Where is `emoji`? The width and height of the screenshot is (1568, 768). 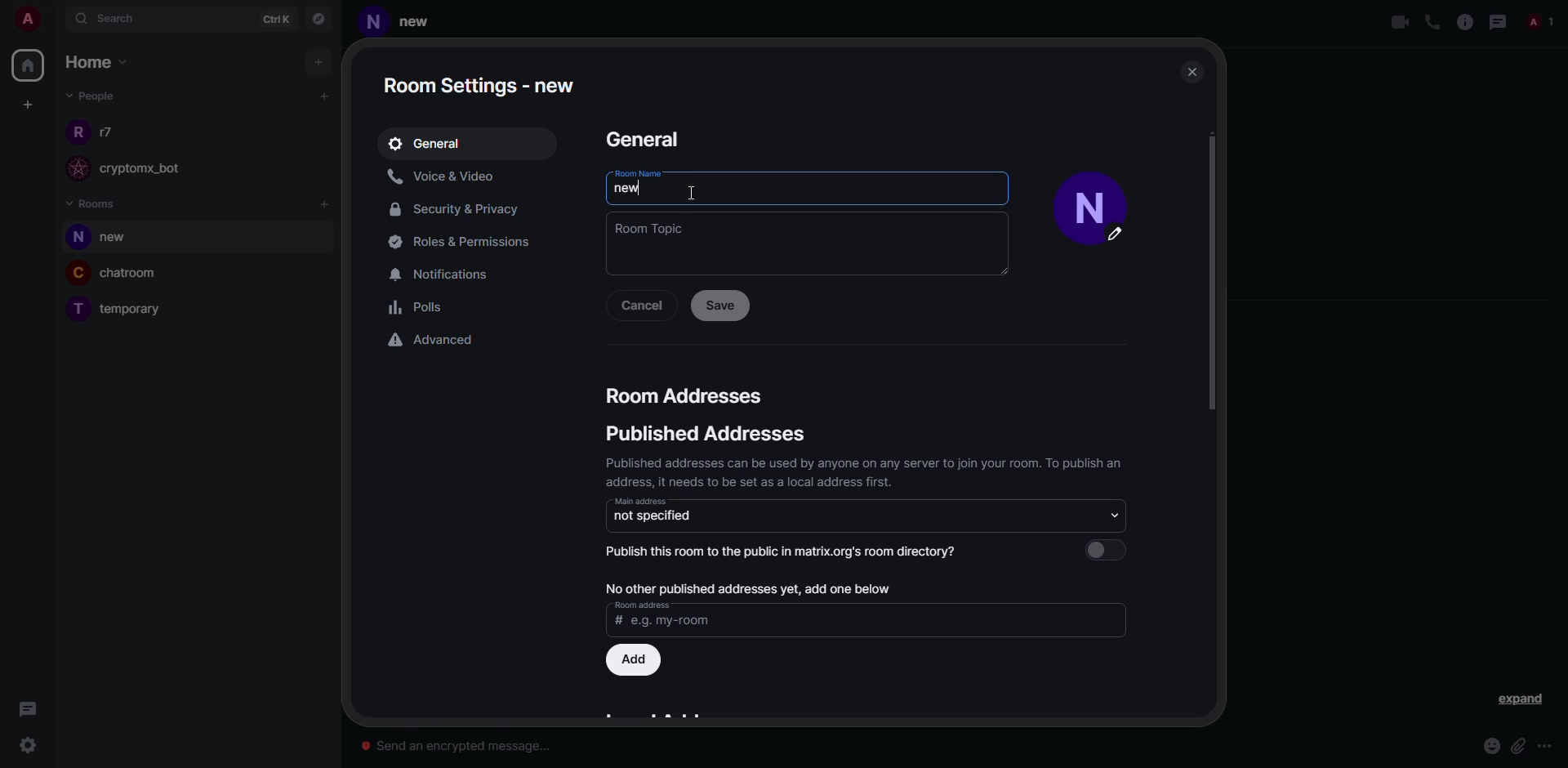 emoji is located at coordinates (1491, 746).